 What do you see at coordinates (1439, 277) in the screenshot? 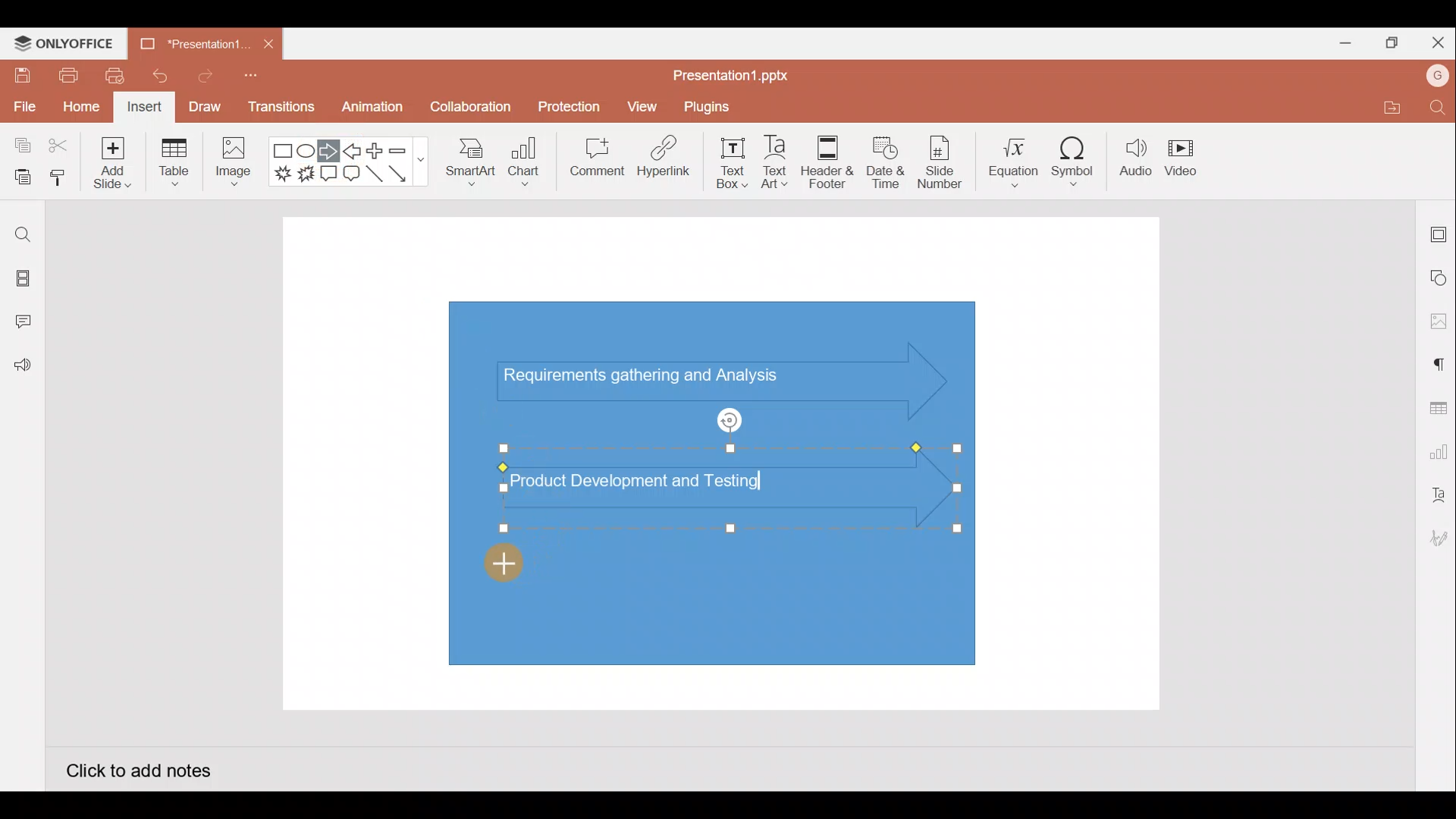
I see `Shape settings` at bounding box center [1439, 277].